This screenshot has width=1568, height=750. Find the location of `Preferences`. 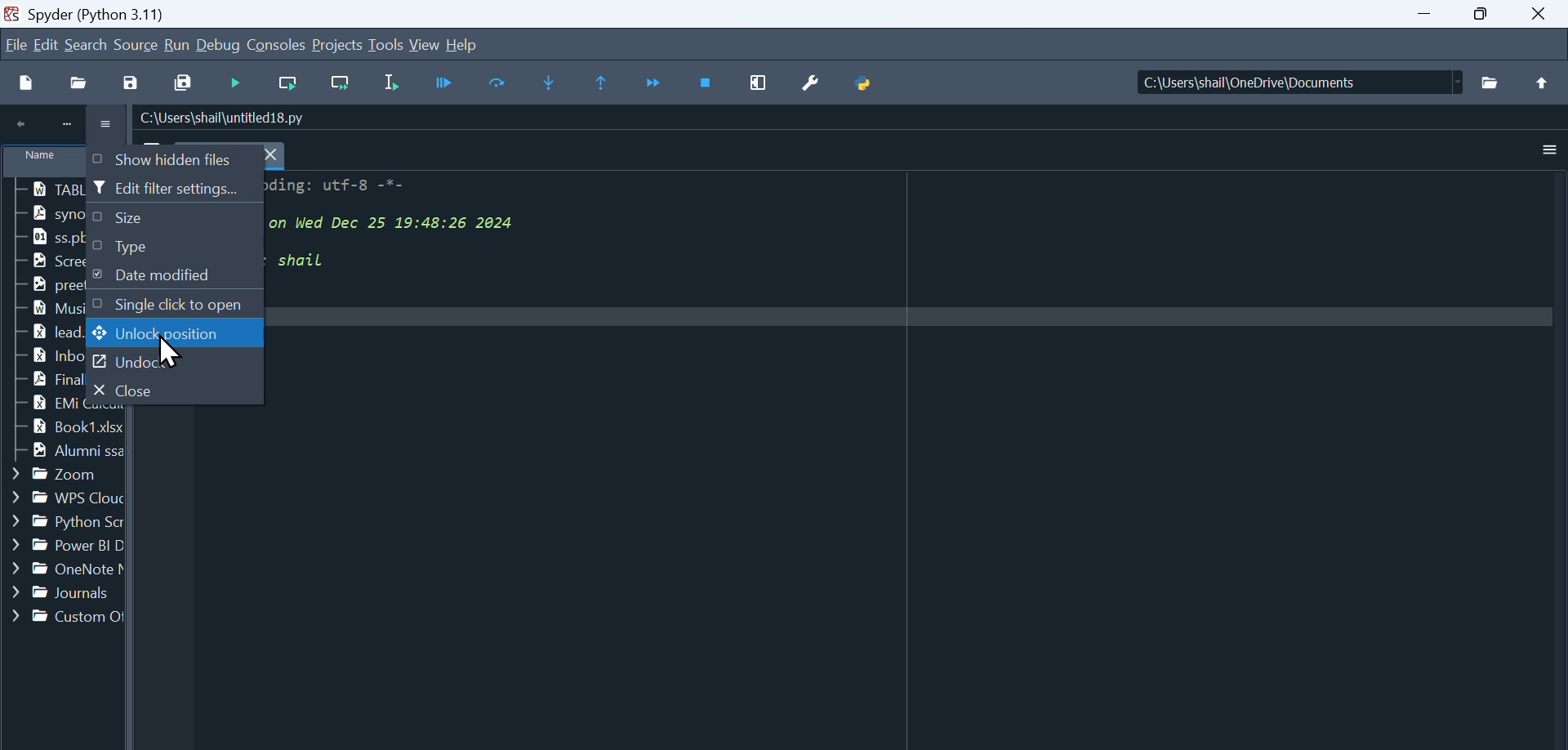

Preferences is located at coordinates (817, 81).